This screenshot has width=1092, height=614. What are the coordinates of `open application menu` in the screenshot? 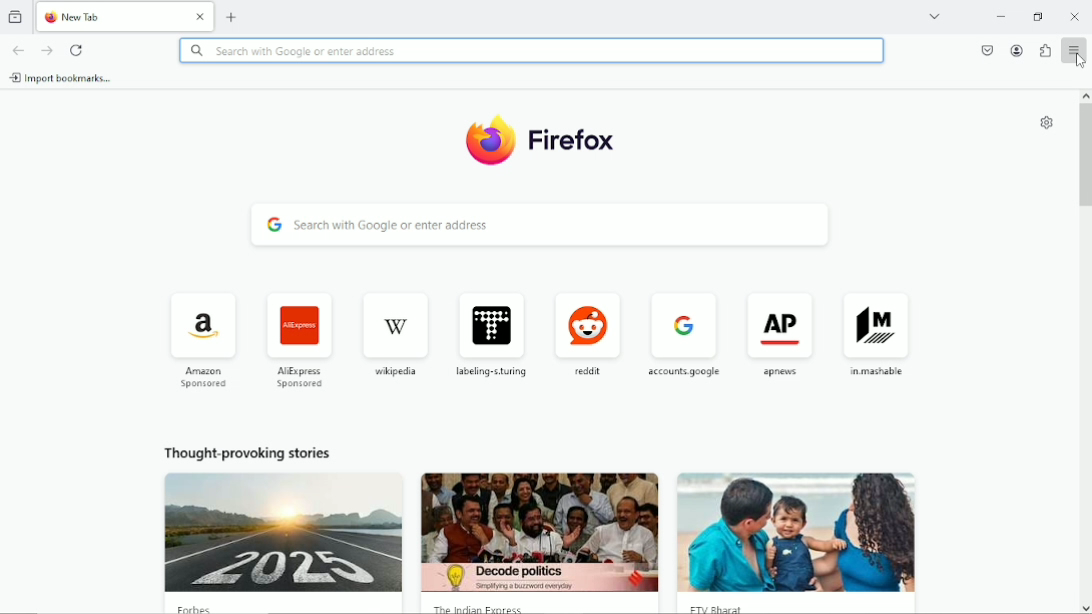 It's located at (1076, 51).